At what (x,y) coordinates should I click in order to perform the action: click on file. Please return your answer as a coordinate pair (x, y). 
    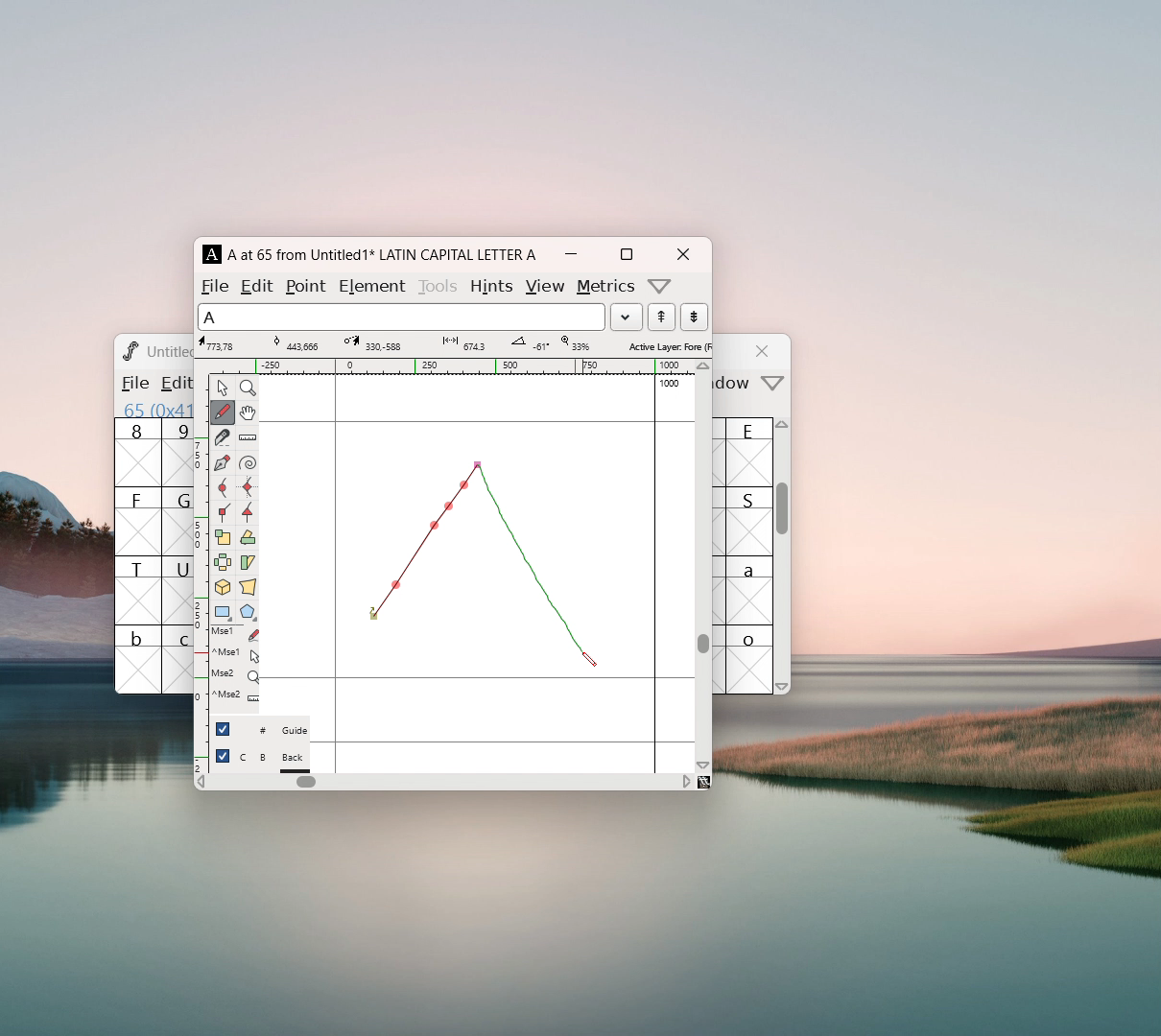
    Looking at the image, I should click on (215, 286).